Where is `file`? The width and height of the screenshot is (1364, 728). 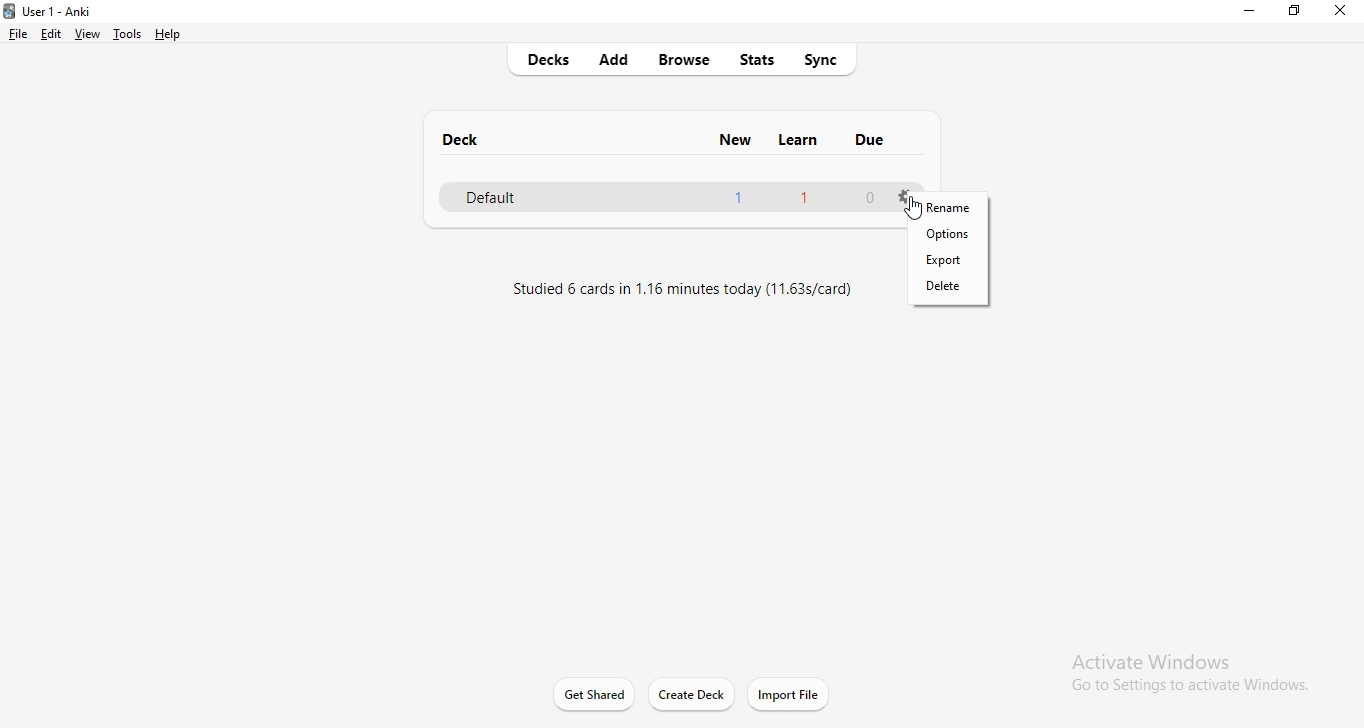
file is located at coordinates (18, 33).